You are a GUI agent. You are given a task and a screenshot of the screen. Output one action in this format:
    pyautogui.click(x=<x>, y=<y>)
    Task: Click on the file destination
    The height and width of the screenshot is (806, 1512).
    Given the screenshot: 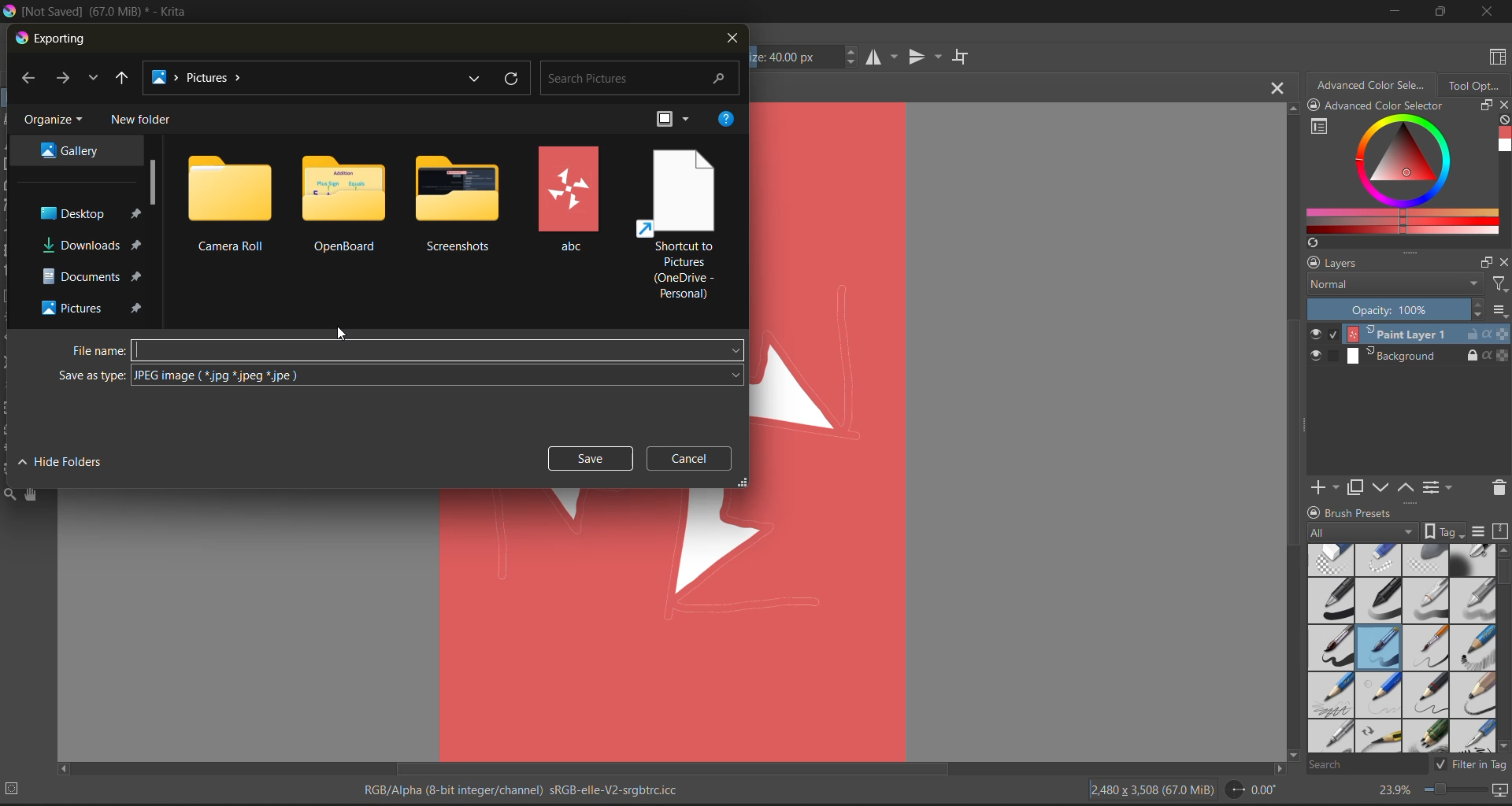 What is the action you would take?
    pyautogui.click(x=92, y=275)
    